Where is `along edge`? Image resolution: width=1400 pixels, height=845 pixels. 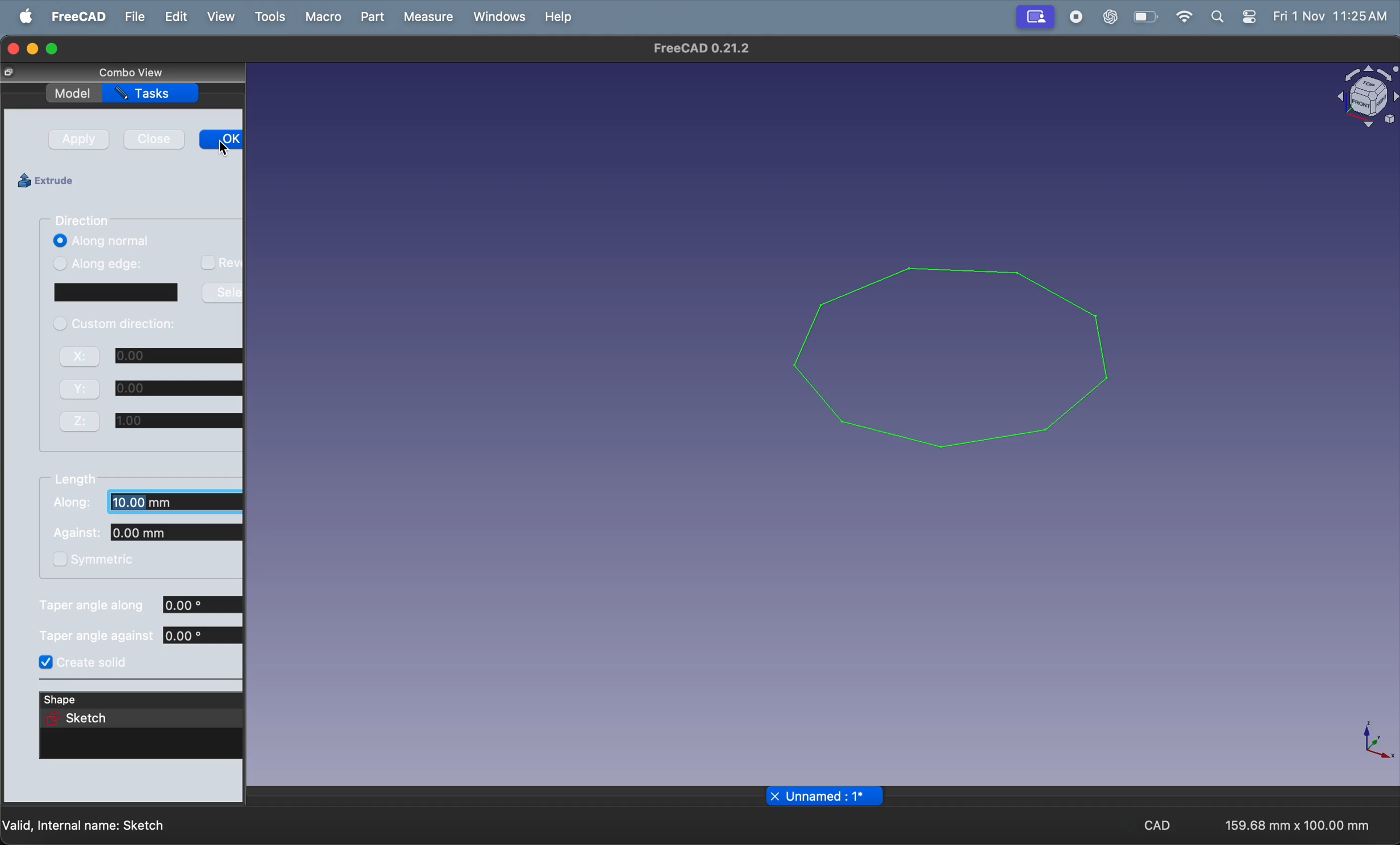 along edge is located at coordinates (105, 265).